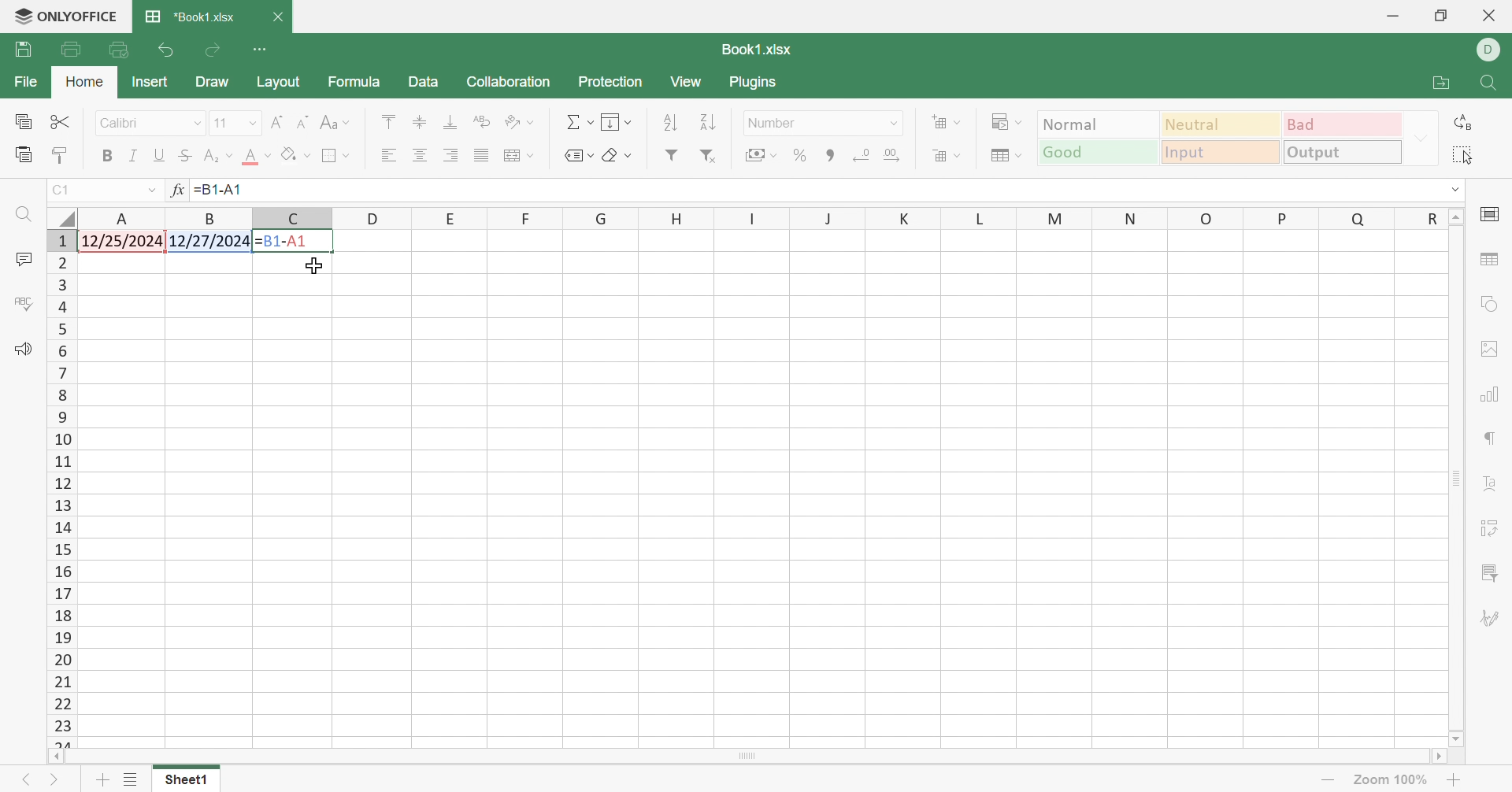  Describe the element at coordinates (226, 191) in the screenshot. I see `=B1-A1` at that location.